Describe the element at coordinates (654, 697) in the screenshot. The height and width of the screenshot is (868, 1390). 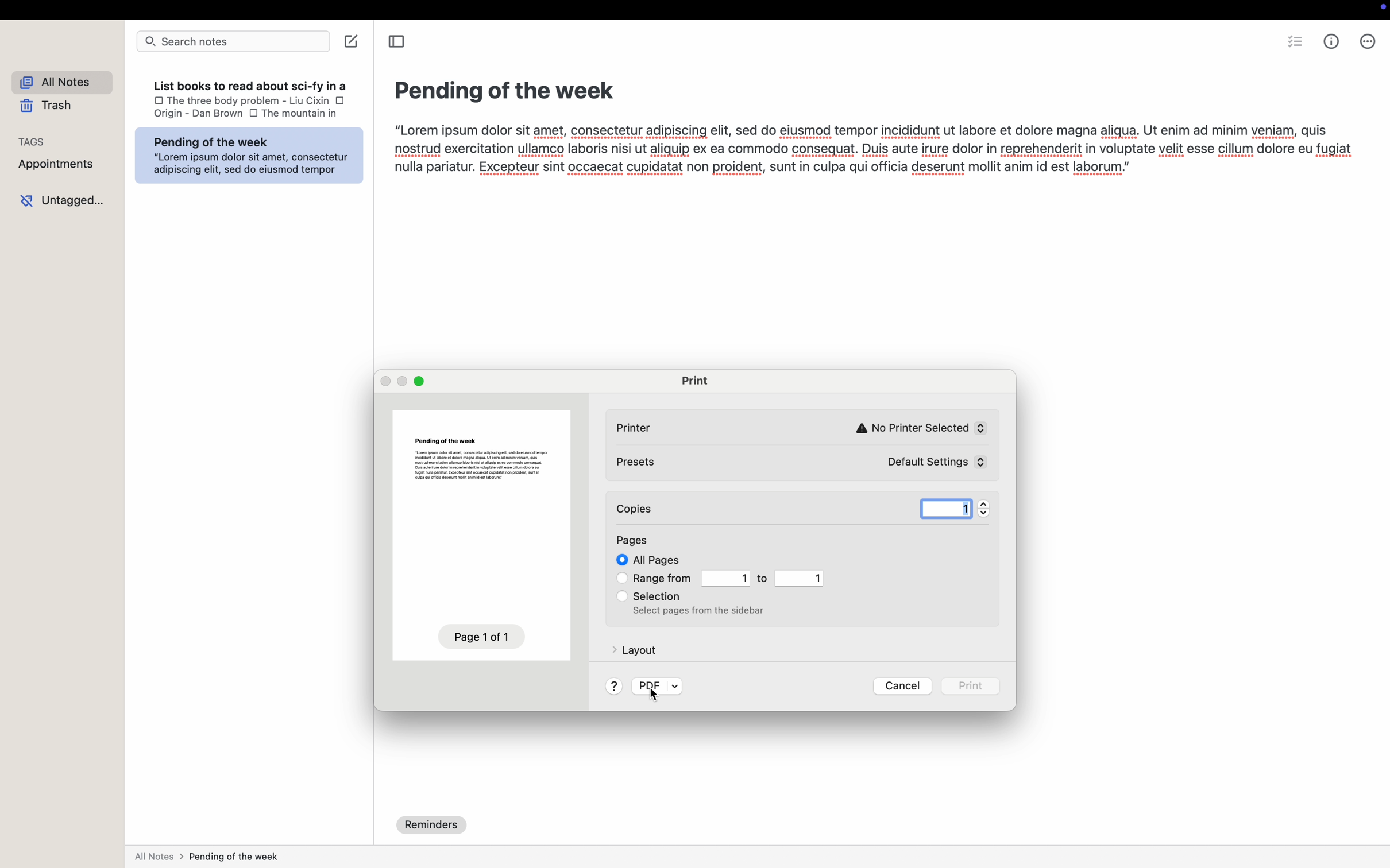
I see `cursor` at that location.